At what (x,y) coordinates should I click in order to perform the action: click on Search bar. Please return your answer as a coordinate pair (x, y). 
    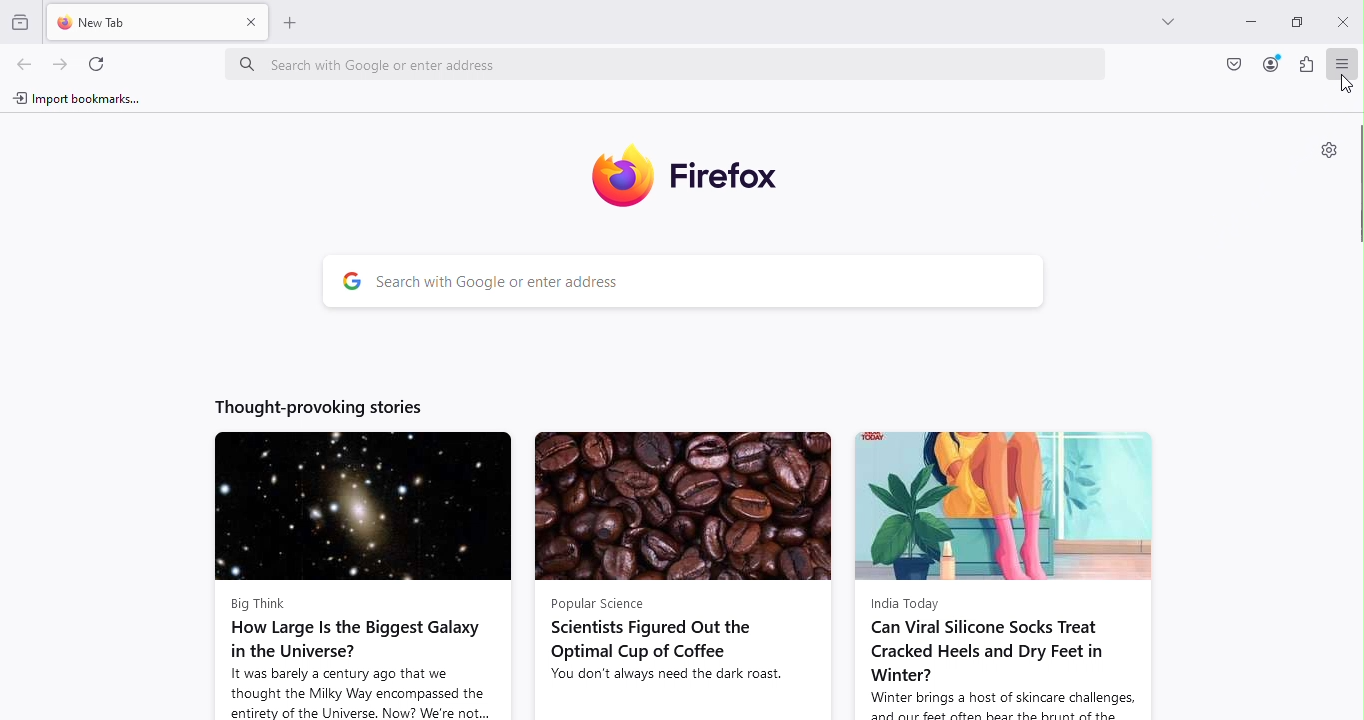
    Looking at the image, I should click on (714, 284).